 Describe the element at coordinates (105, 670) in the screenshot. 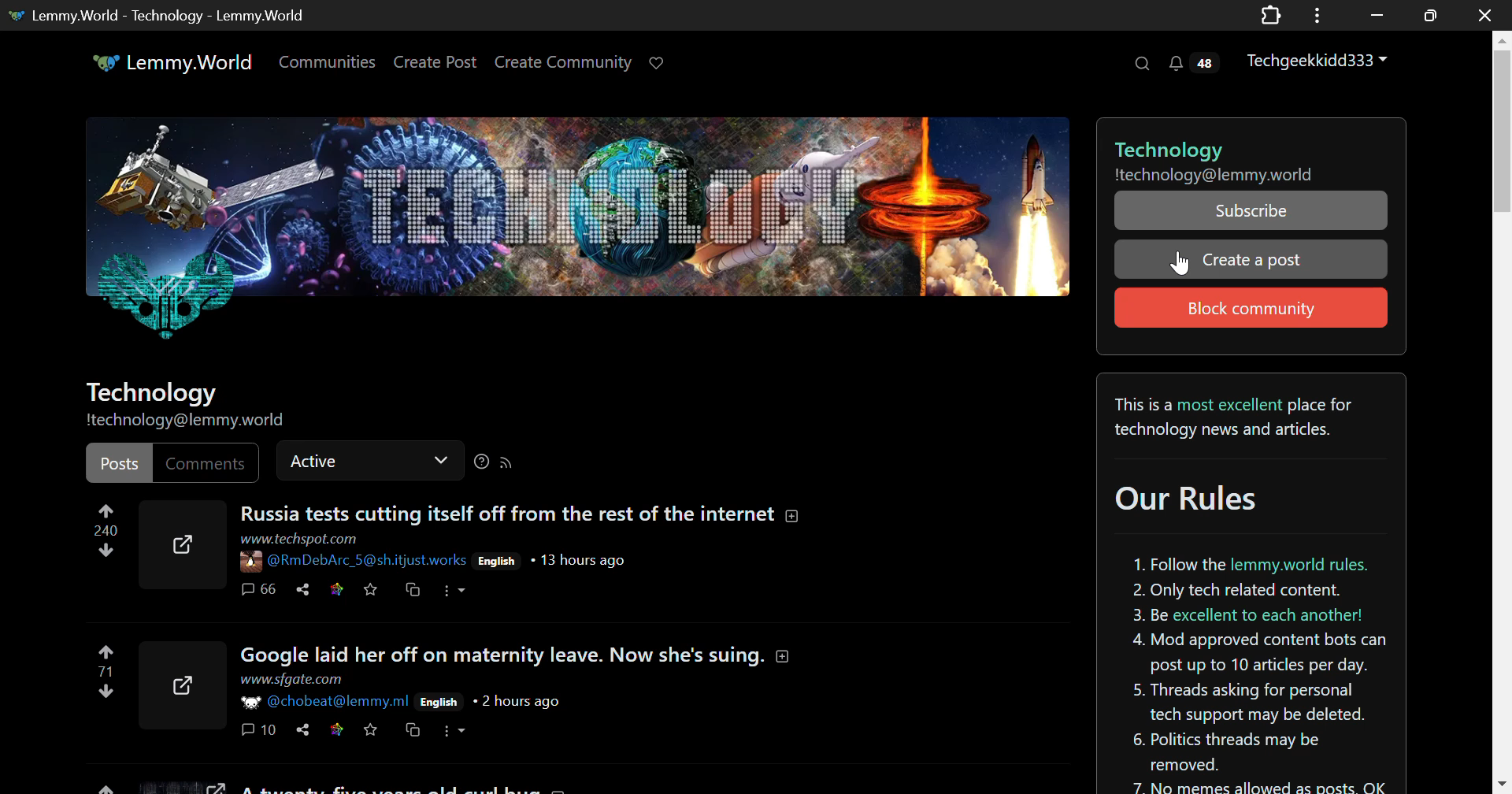

I see `71 Upvotes` at that location.